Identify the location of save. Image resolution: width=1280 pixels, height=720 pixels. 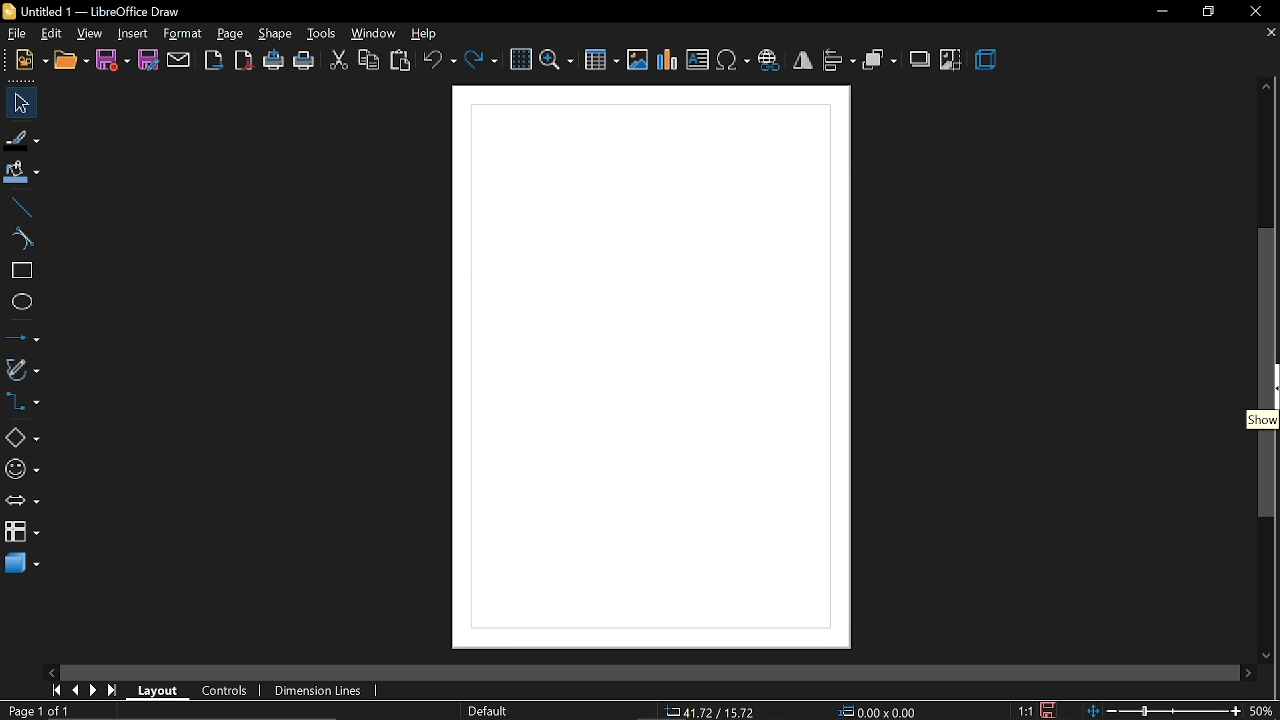
(113, 61).